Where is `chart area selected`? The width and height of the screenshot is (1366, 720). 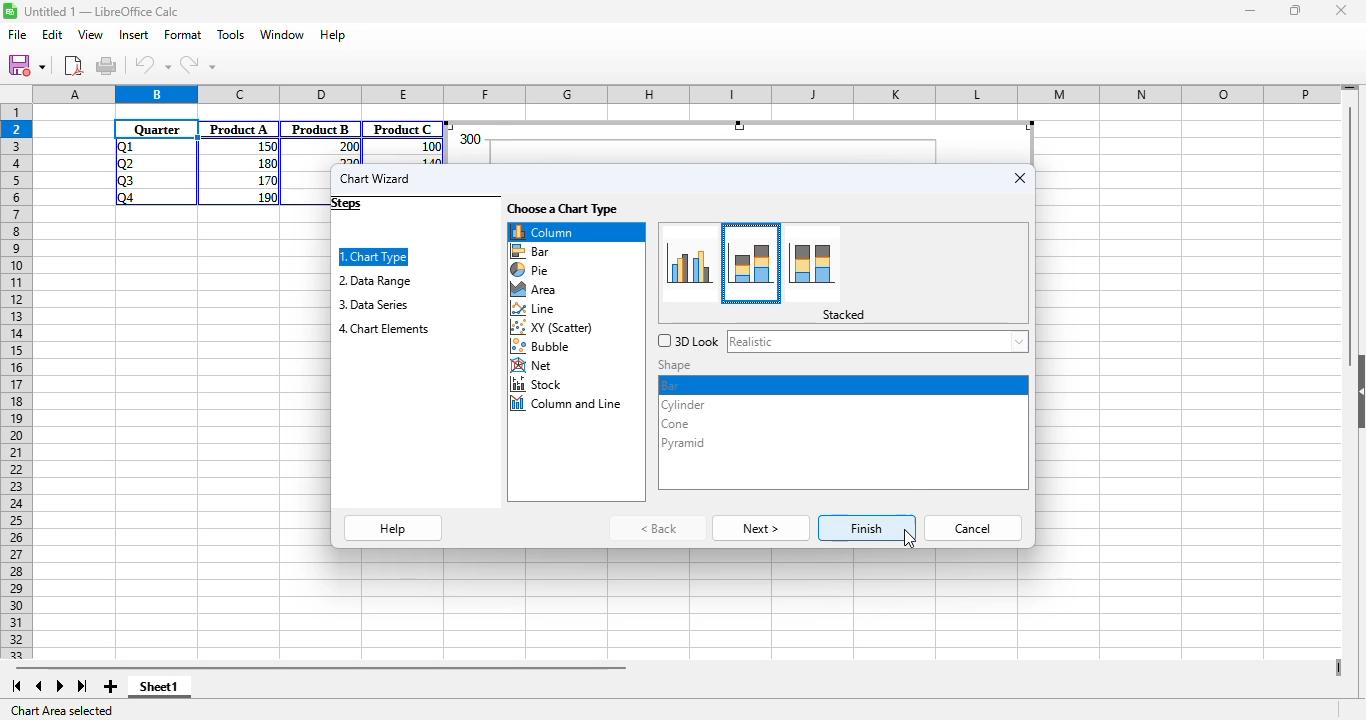 chart area selected is located at coordinates (64, 711).